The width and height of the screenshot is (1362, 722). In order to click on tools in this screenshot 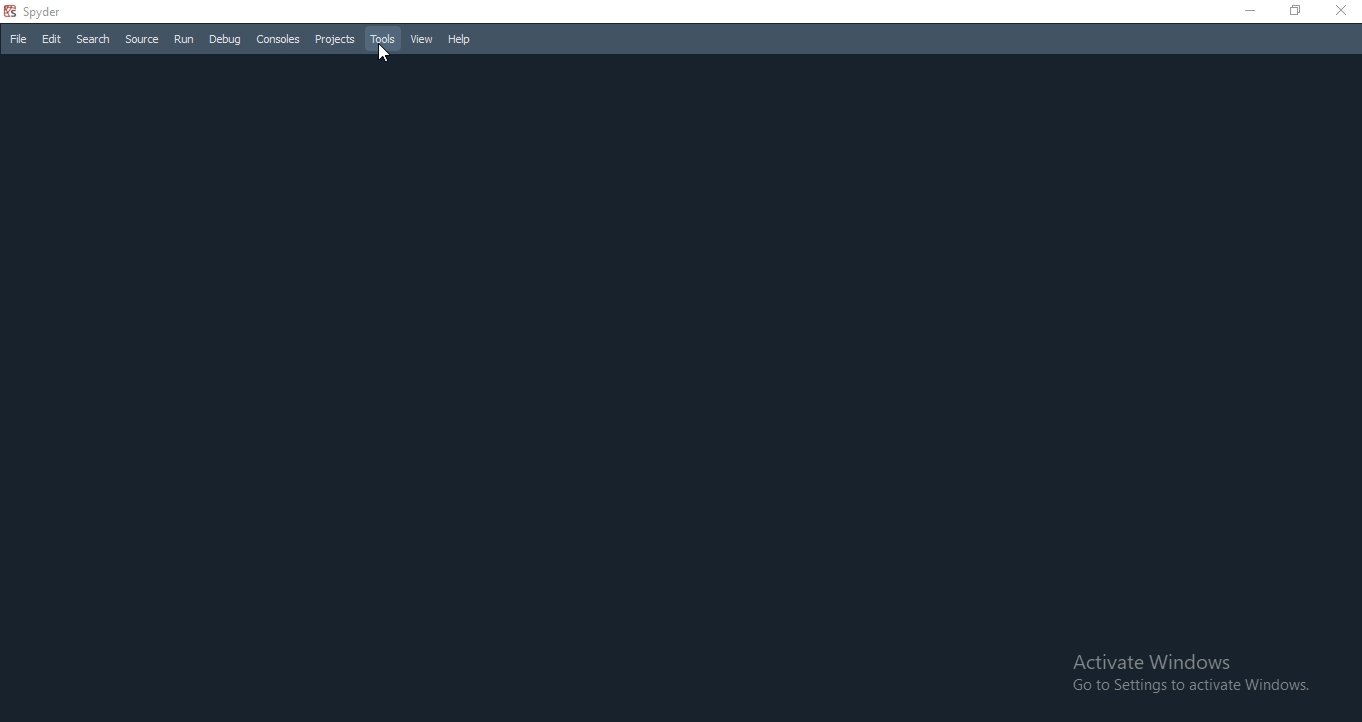, I will do `click(384, 38)`.